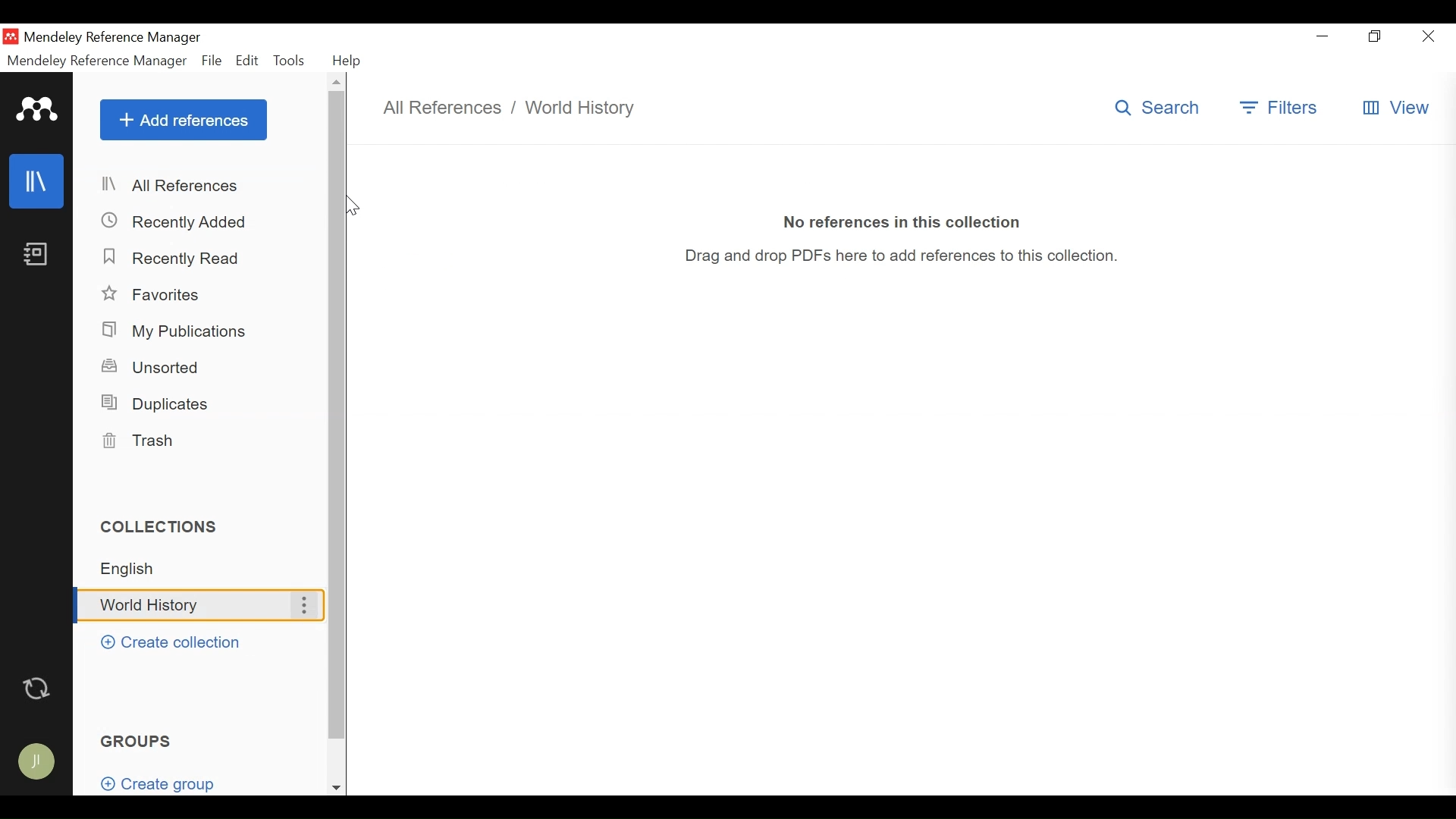 This screenshot has height=819, width=1456. Describe the element at coordinates (347, 61) in the screenshot. I see `Help` at that location.